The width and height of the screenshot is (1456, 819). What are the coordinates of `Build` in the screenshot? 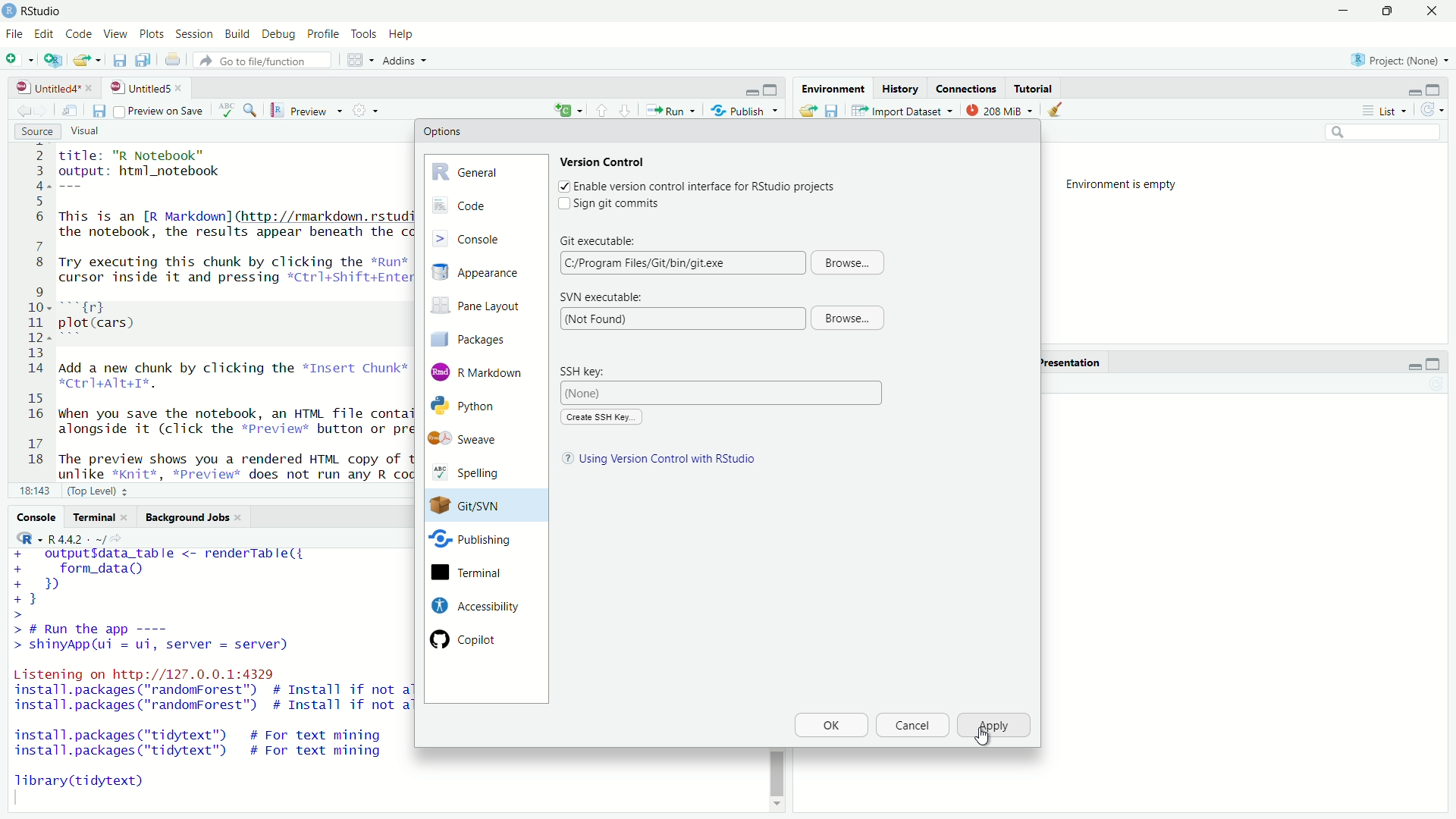 It's located at (239, 35).